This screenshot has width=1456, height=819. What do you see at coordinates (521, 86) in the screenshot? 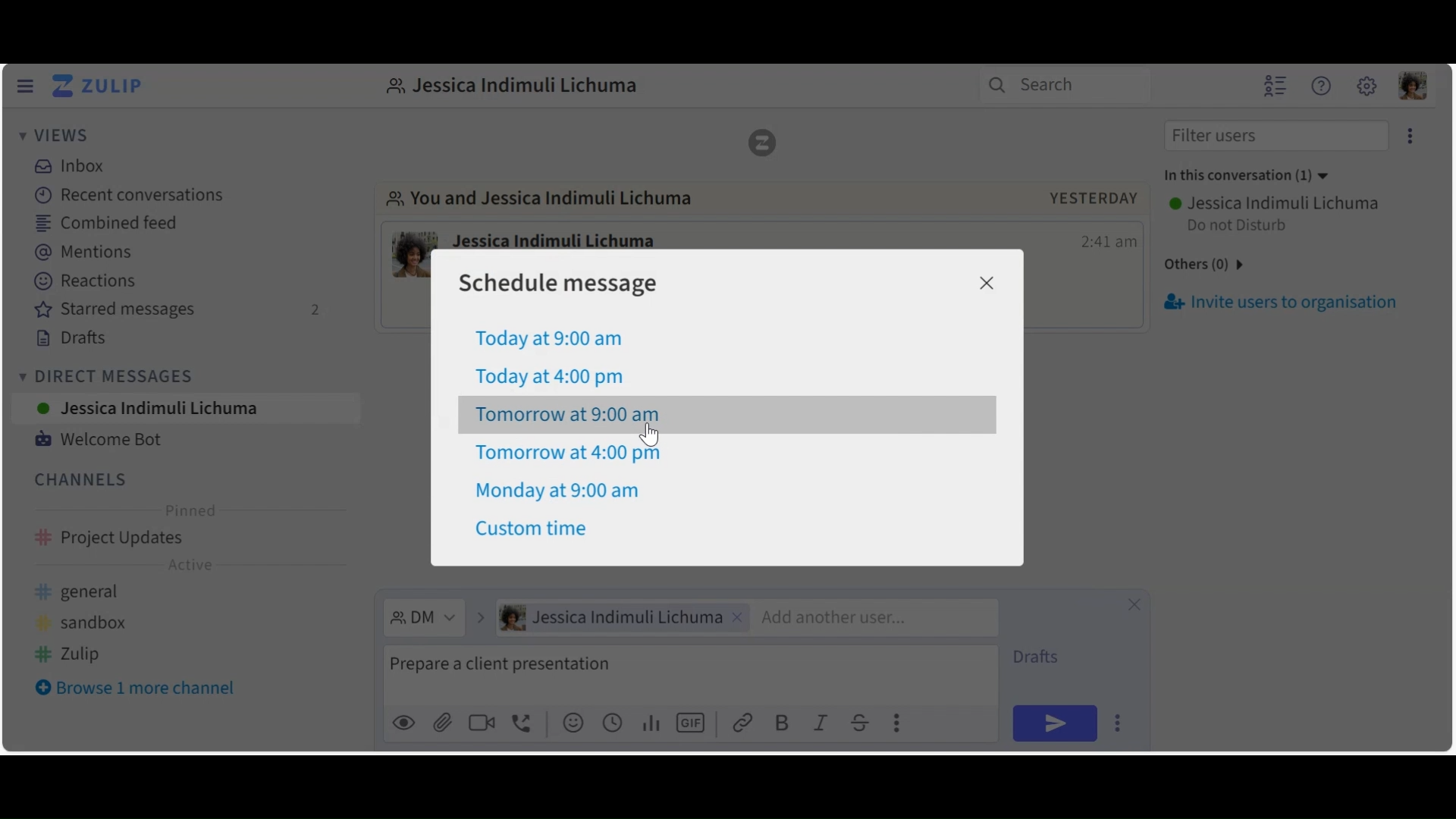
I see `Direct message with user` at bounding box center [521, 86].